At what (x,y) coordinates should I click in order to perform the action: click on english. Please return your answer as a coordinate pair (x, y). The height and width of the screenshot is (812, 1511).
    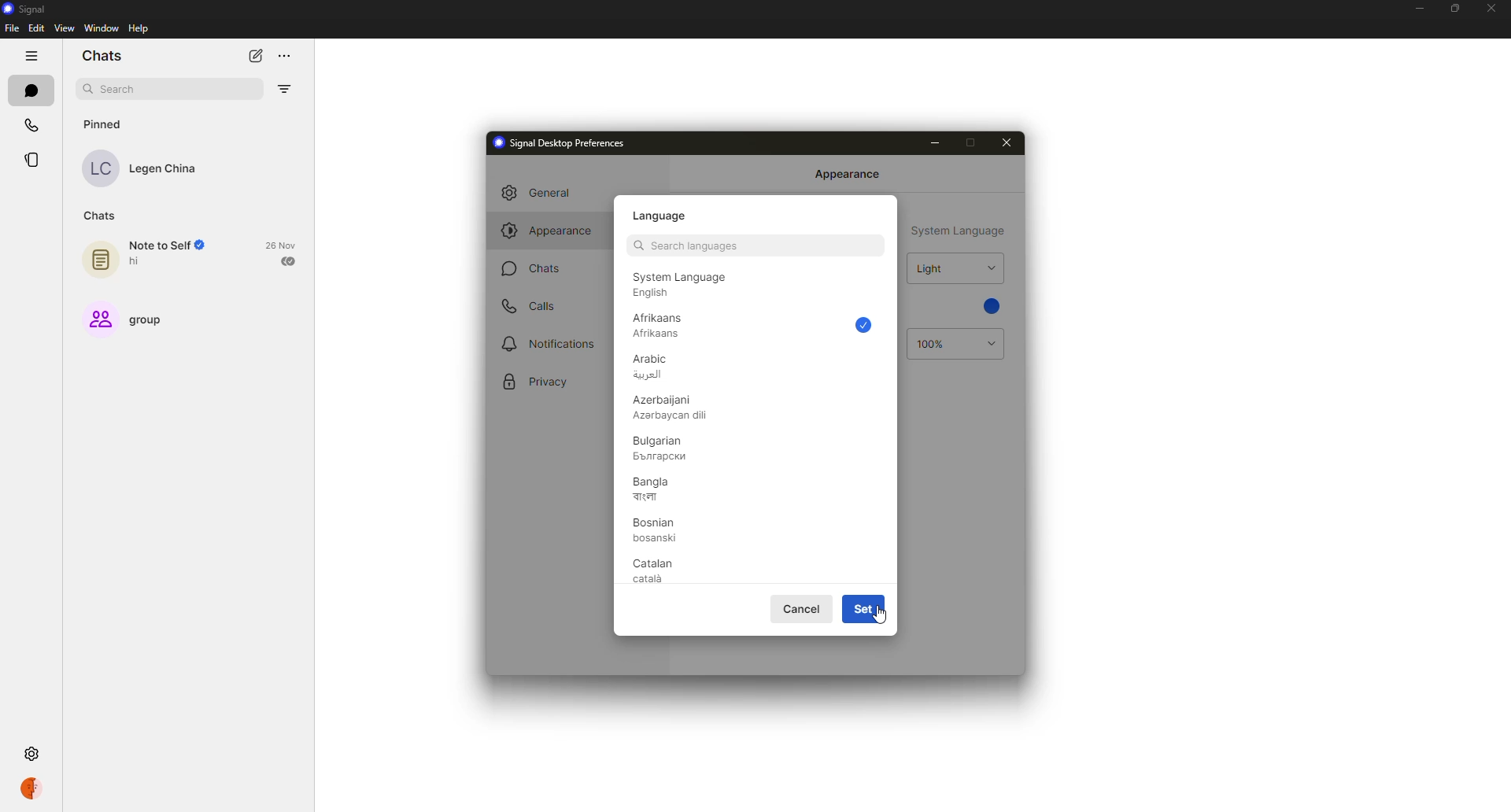
    Looking at the image, I should click on (681, 286).